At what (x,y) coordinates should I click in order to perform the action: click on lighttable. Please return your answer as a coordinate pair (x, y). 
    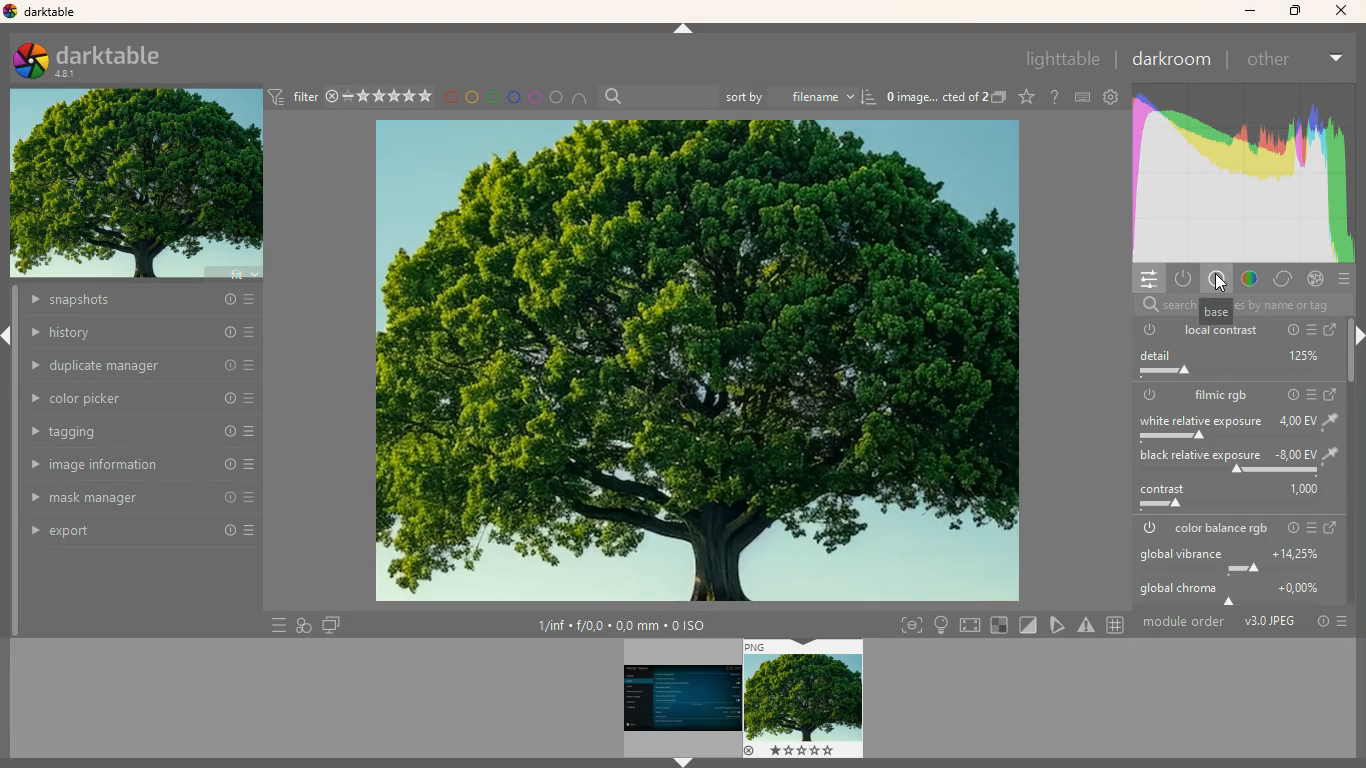
    Looking at the image, I should click on (1063, 59).